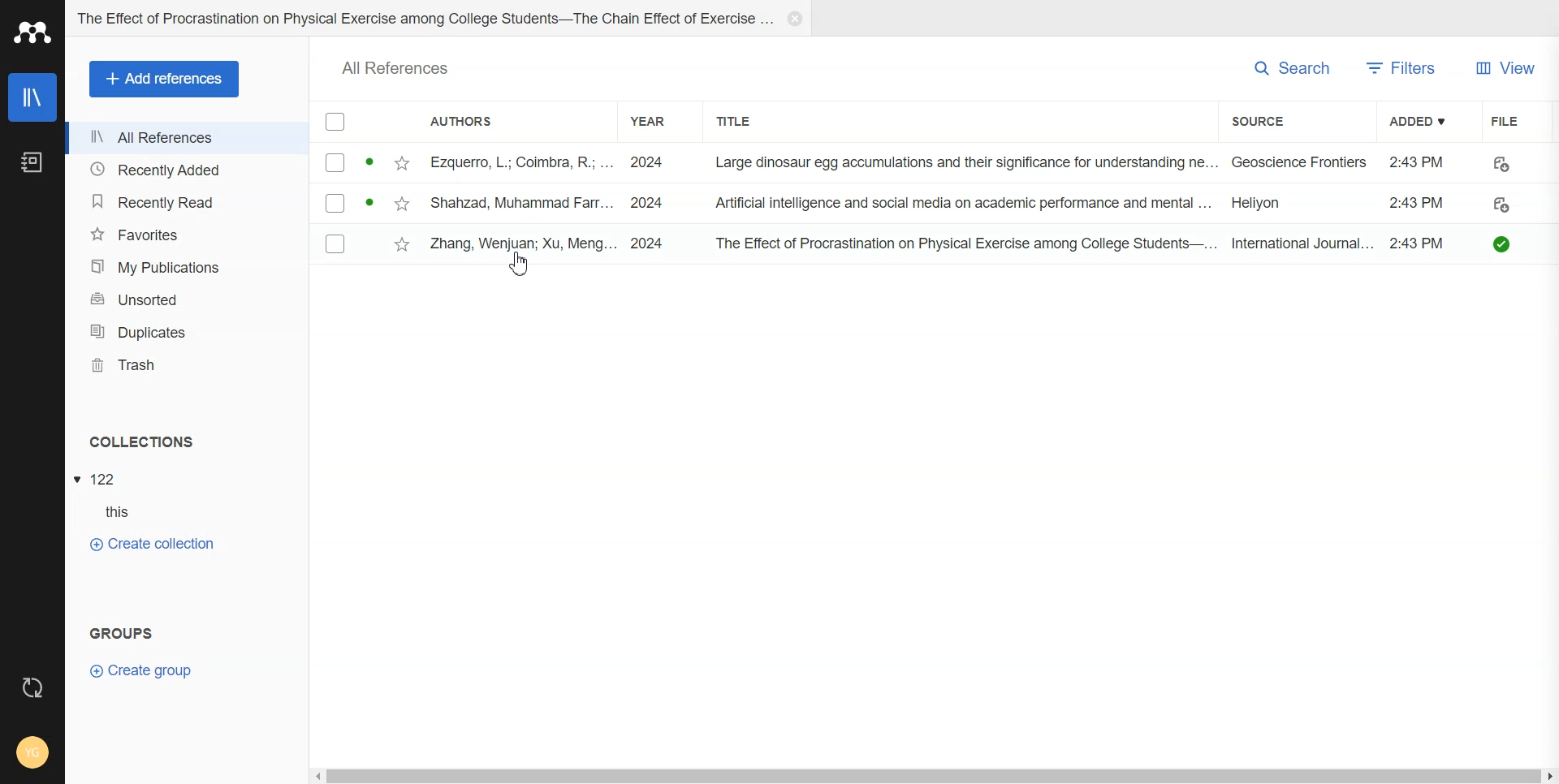 The image size is (1559, 784). I want to click on Author, so click(471, 120).